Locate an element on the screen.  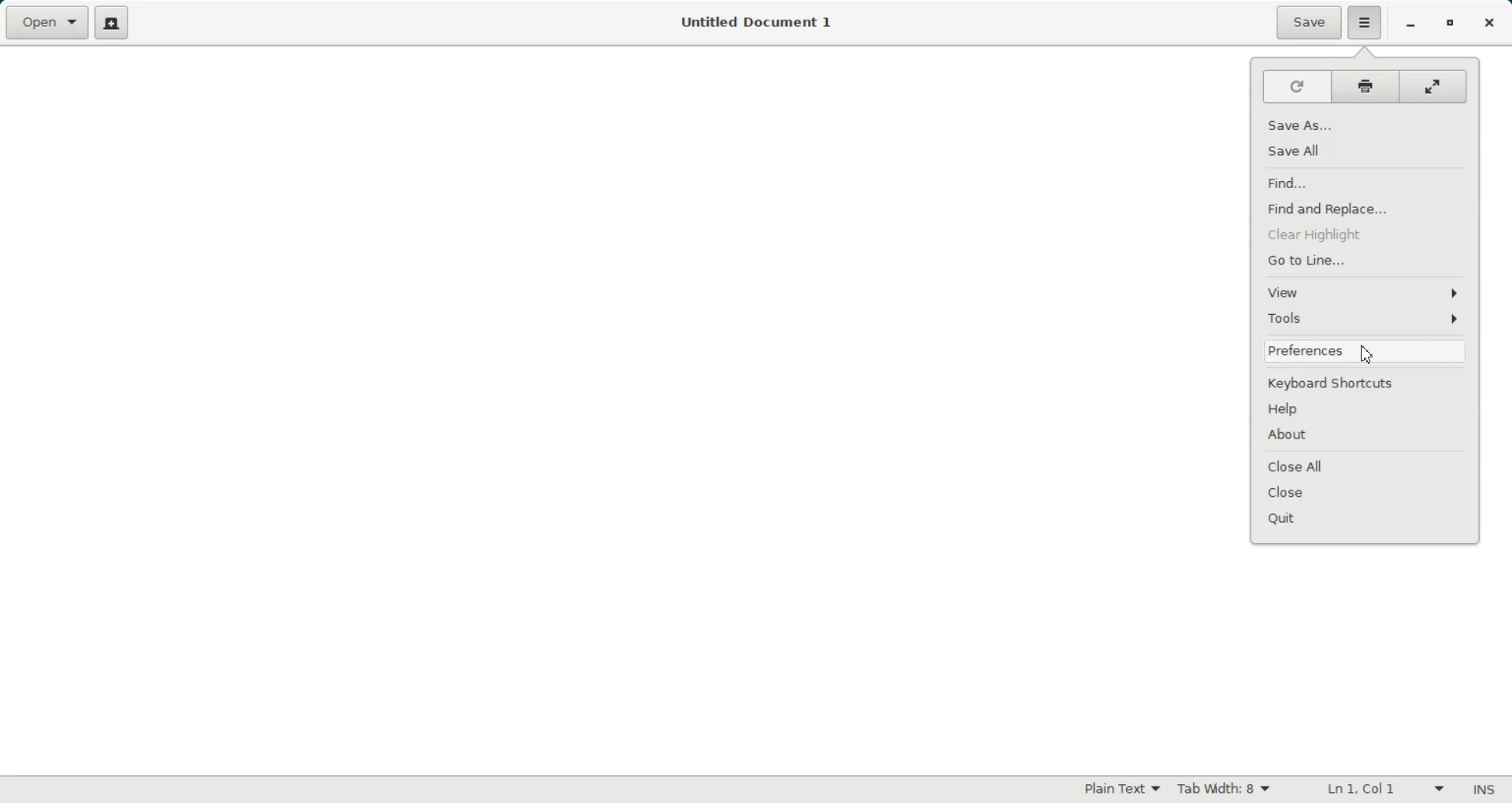
Refresh is located at coordinates (1295, 87).